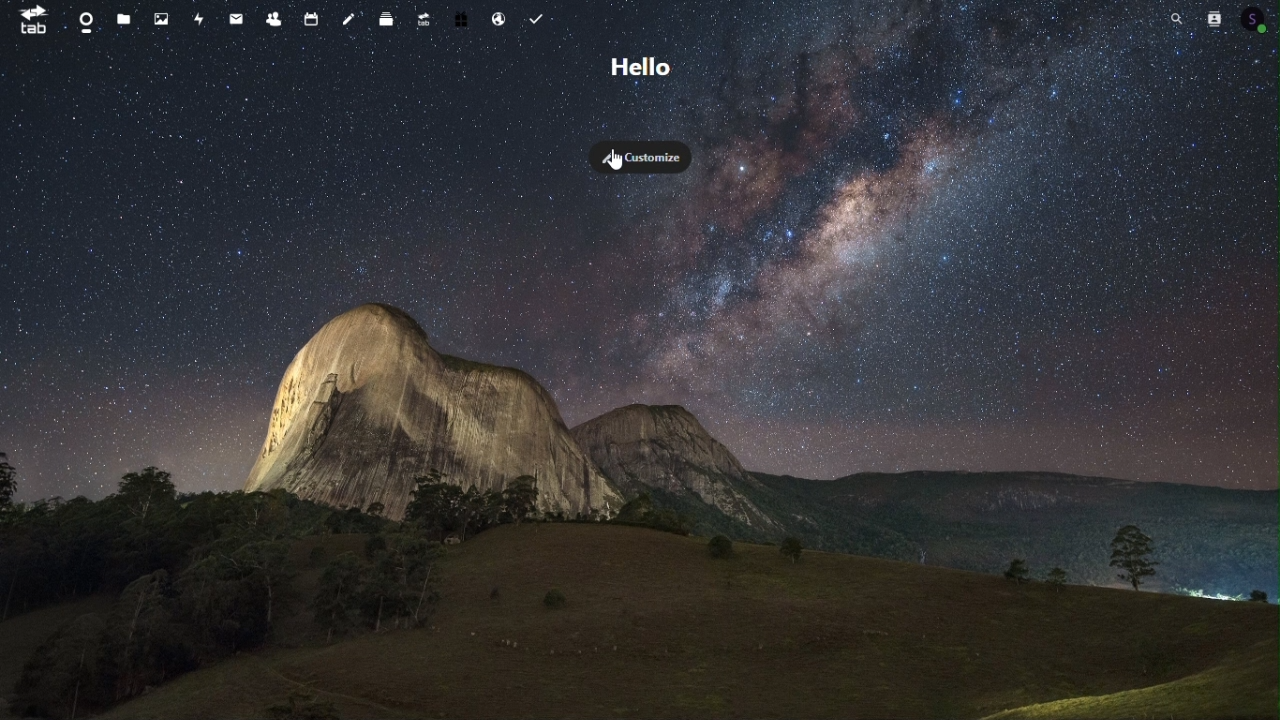 The height and width of the screenshot is (720, 1280). I want to click on Customize, so click(645, 157).